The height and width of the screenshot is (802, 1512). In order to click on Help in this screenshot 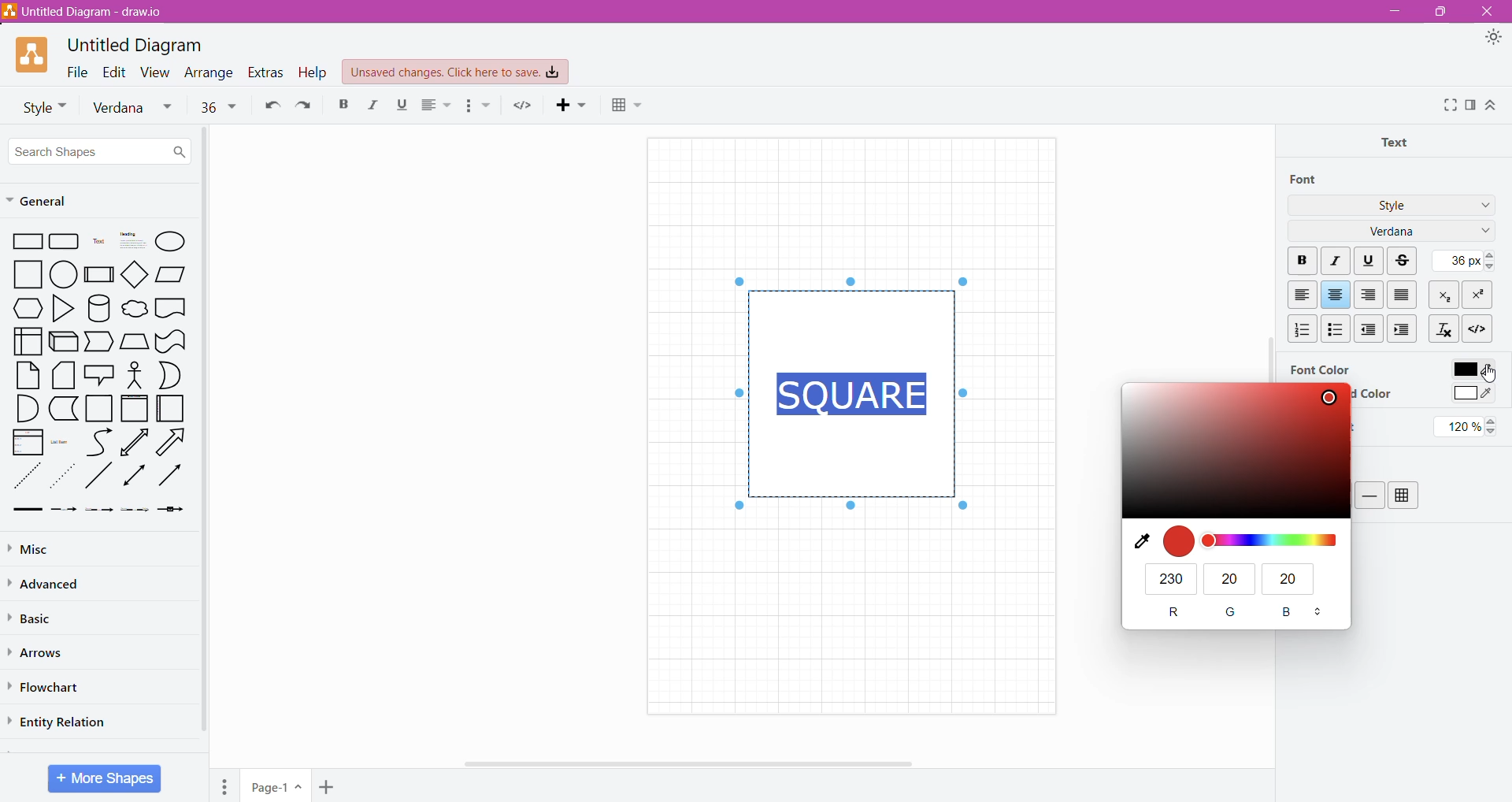, I will do `click(315, 72)`.